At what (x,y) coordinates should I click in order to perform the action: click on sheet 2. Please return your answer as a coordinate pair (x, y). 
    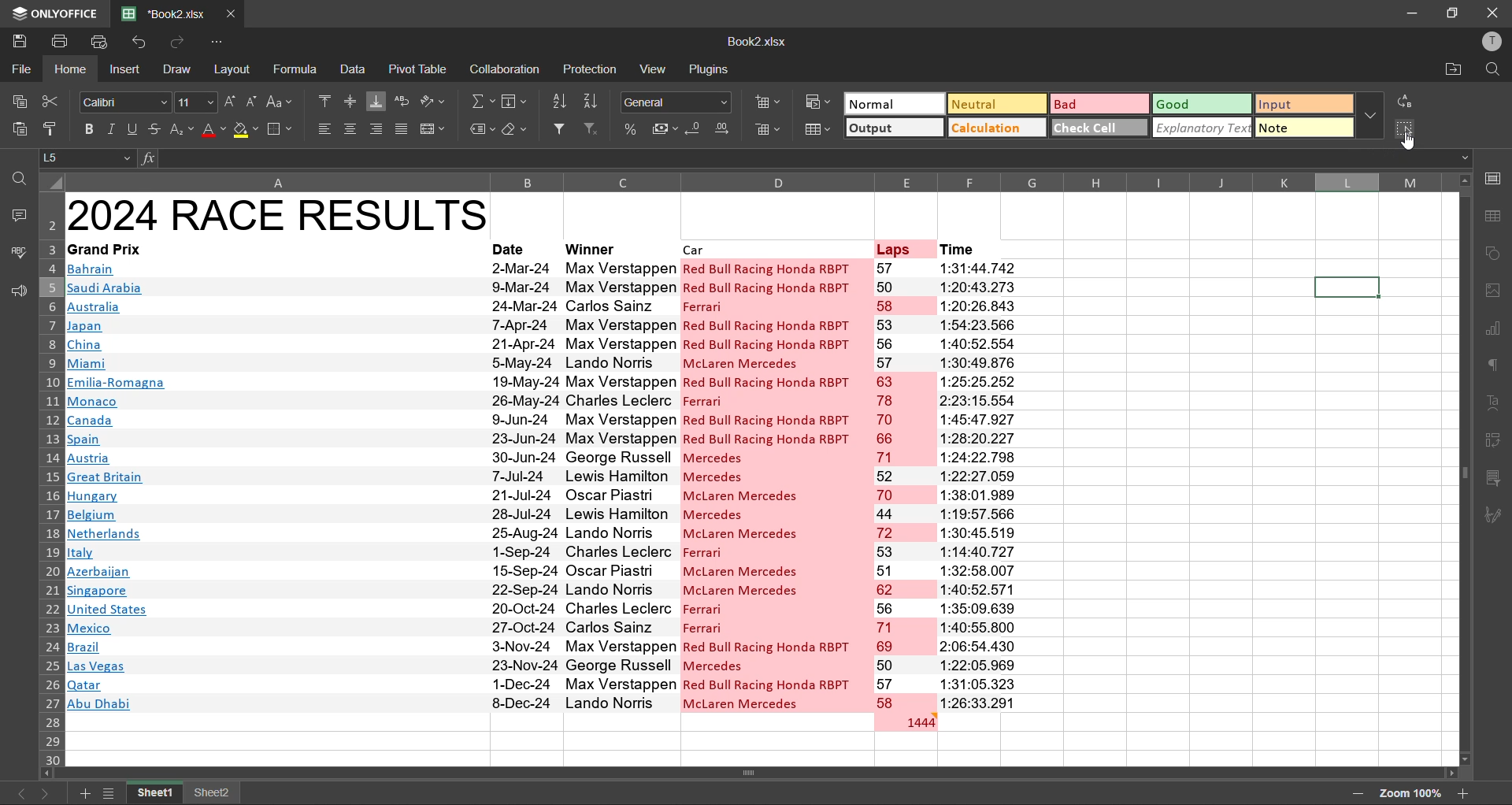
    Looking at the image, I should click on (215, 792).